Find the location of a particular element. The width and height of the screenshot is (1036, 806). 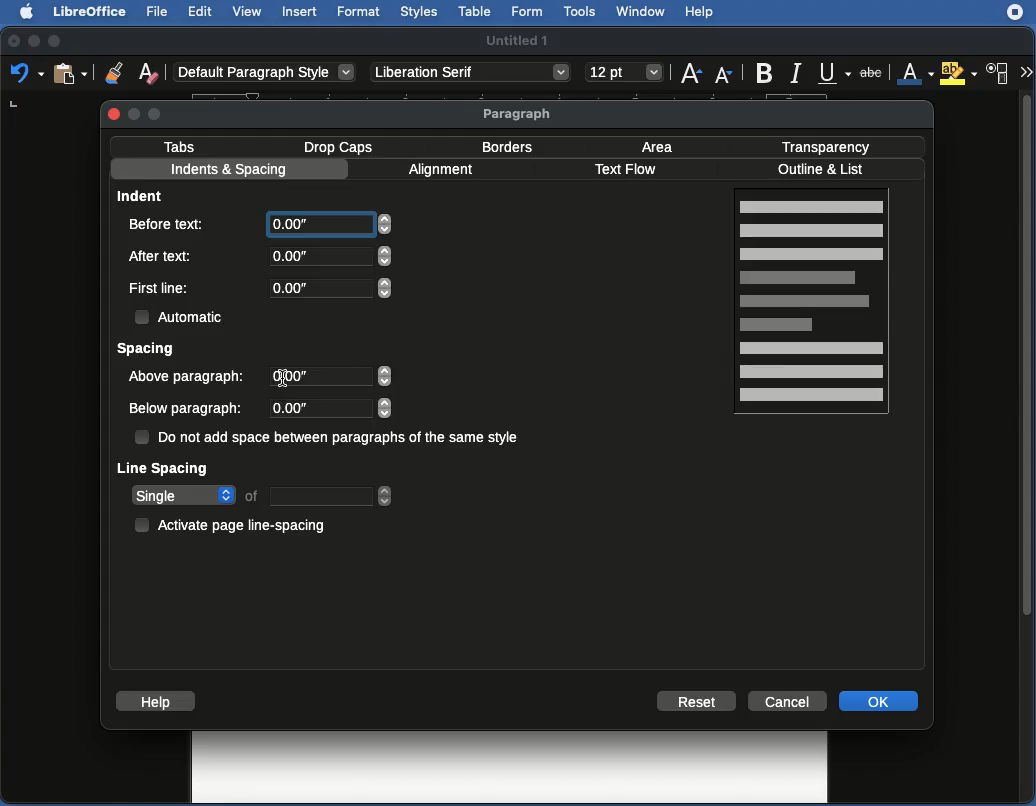

Spacing is located at coordinates (147, 350).